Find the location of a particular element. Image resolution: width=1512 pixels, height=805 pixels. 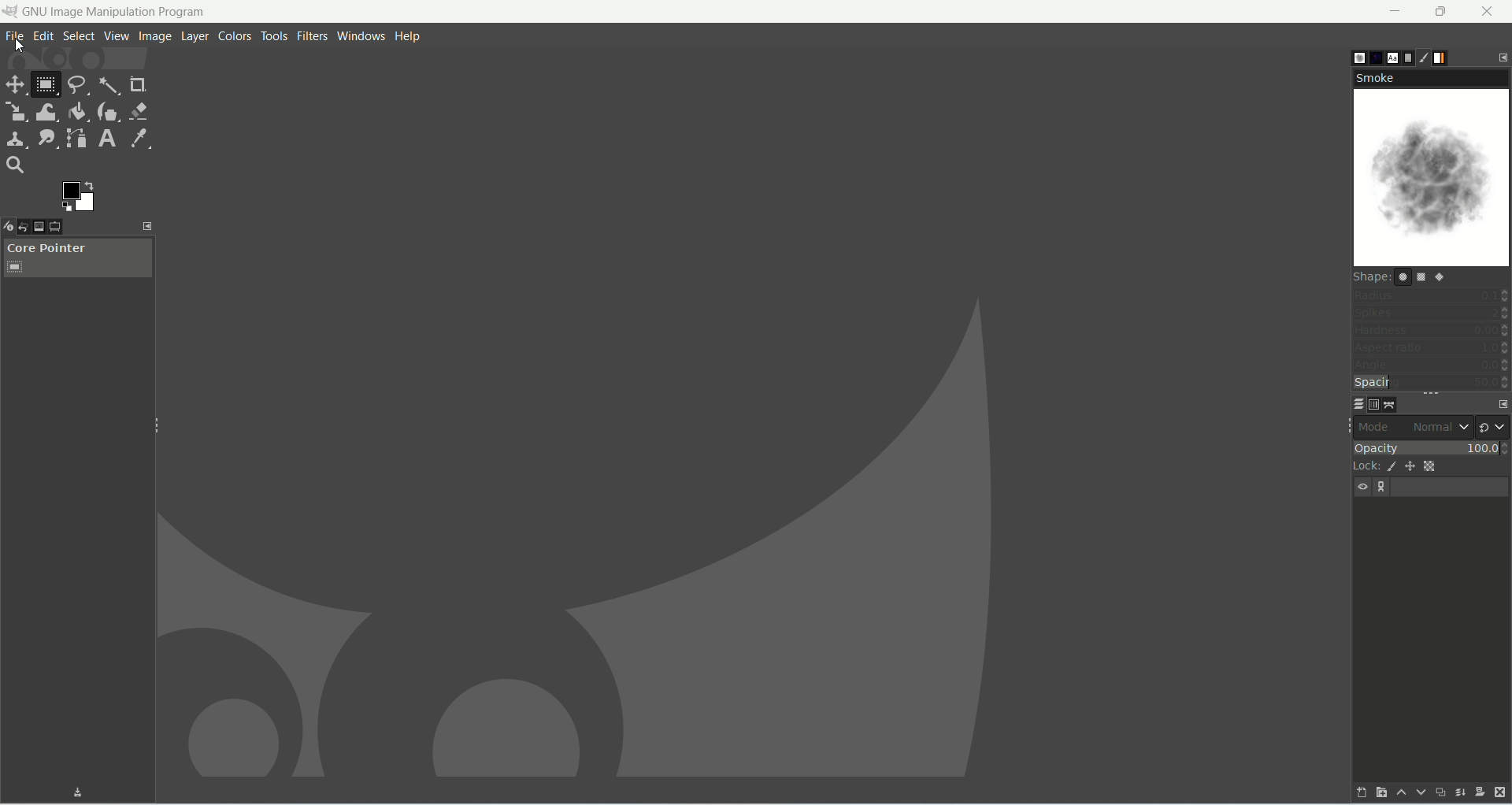

filters is located at coordinates (313, 35).